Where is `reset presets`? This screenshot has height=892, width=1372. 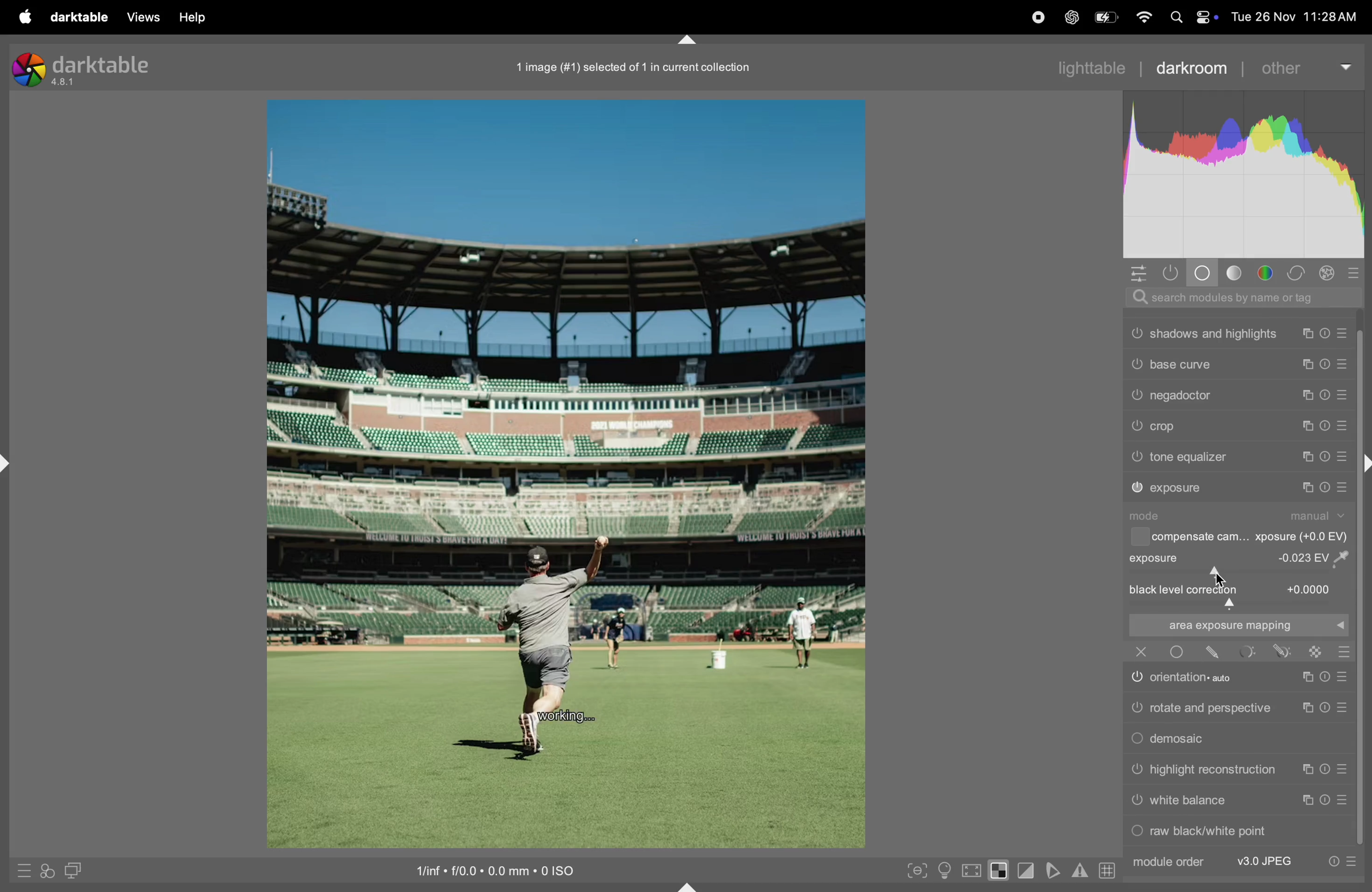 reset presets is located at coordinates (1327, 425).